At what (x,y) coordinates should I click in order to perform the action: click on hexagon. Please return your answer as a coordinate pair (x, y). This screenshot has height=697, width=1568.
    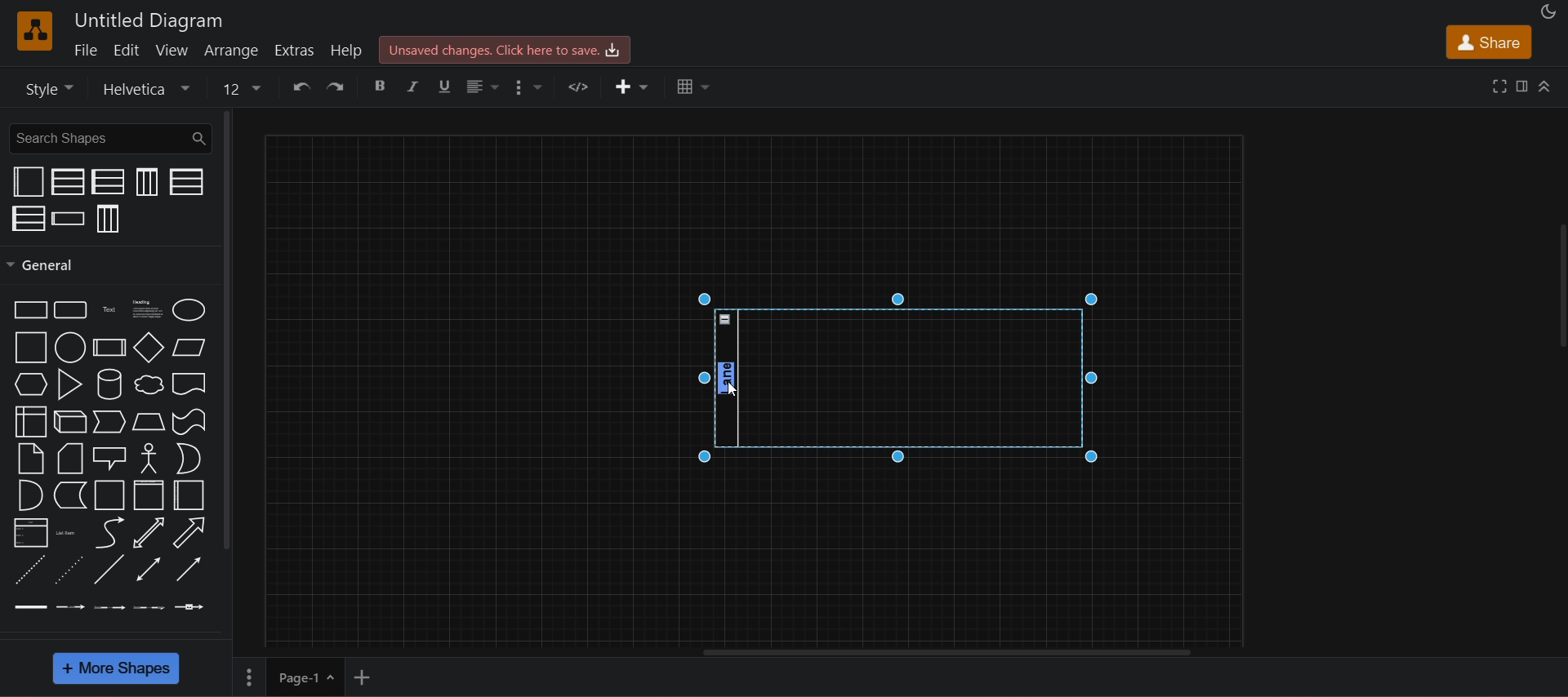
    Looking at the image, I should click on (31, 384).